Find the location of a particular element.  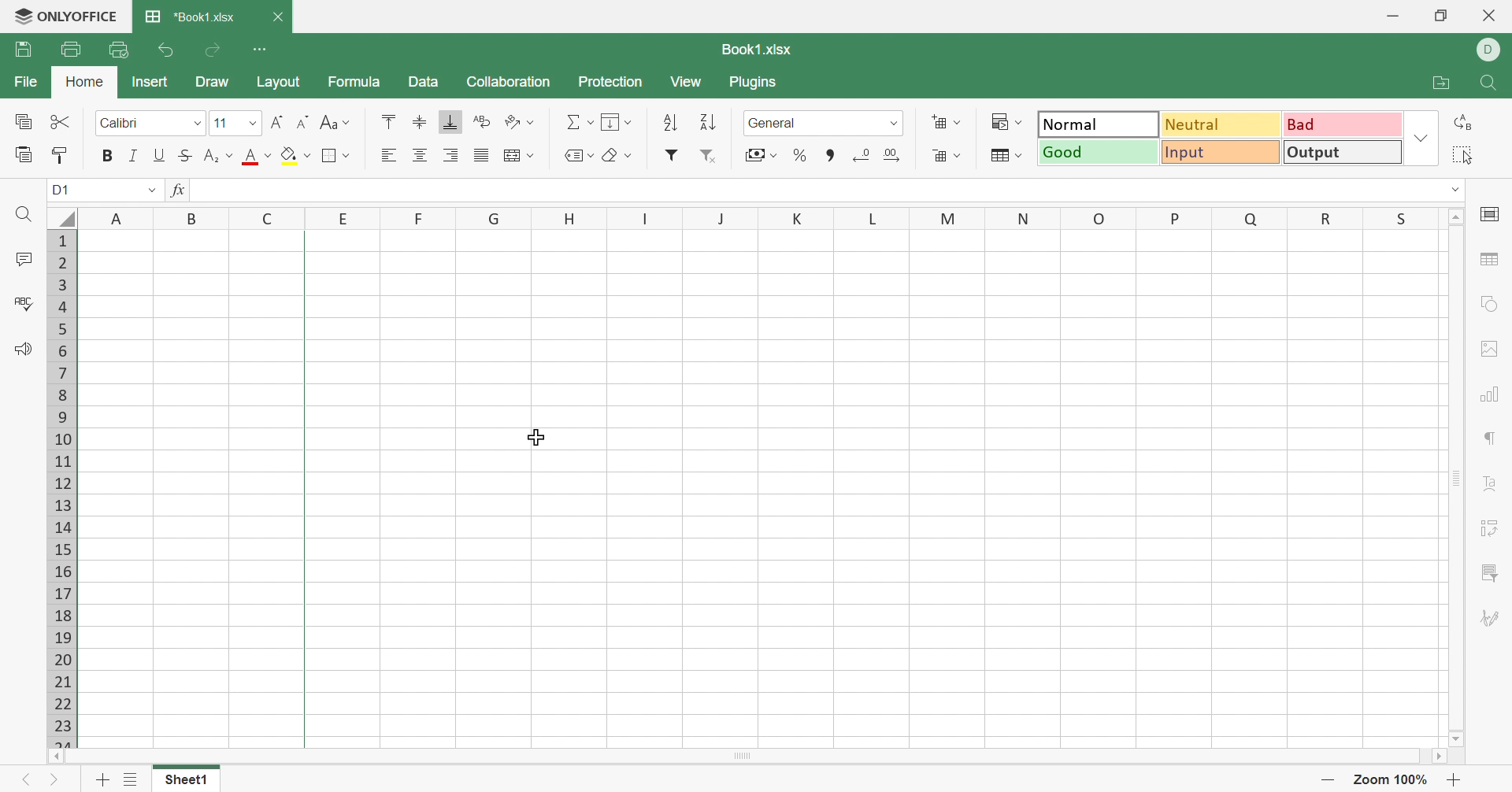

fx is located at coordinates (178, 191).